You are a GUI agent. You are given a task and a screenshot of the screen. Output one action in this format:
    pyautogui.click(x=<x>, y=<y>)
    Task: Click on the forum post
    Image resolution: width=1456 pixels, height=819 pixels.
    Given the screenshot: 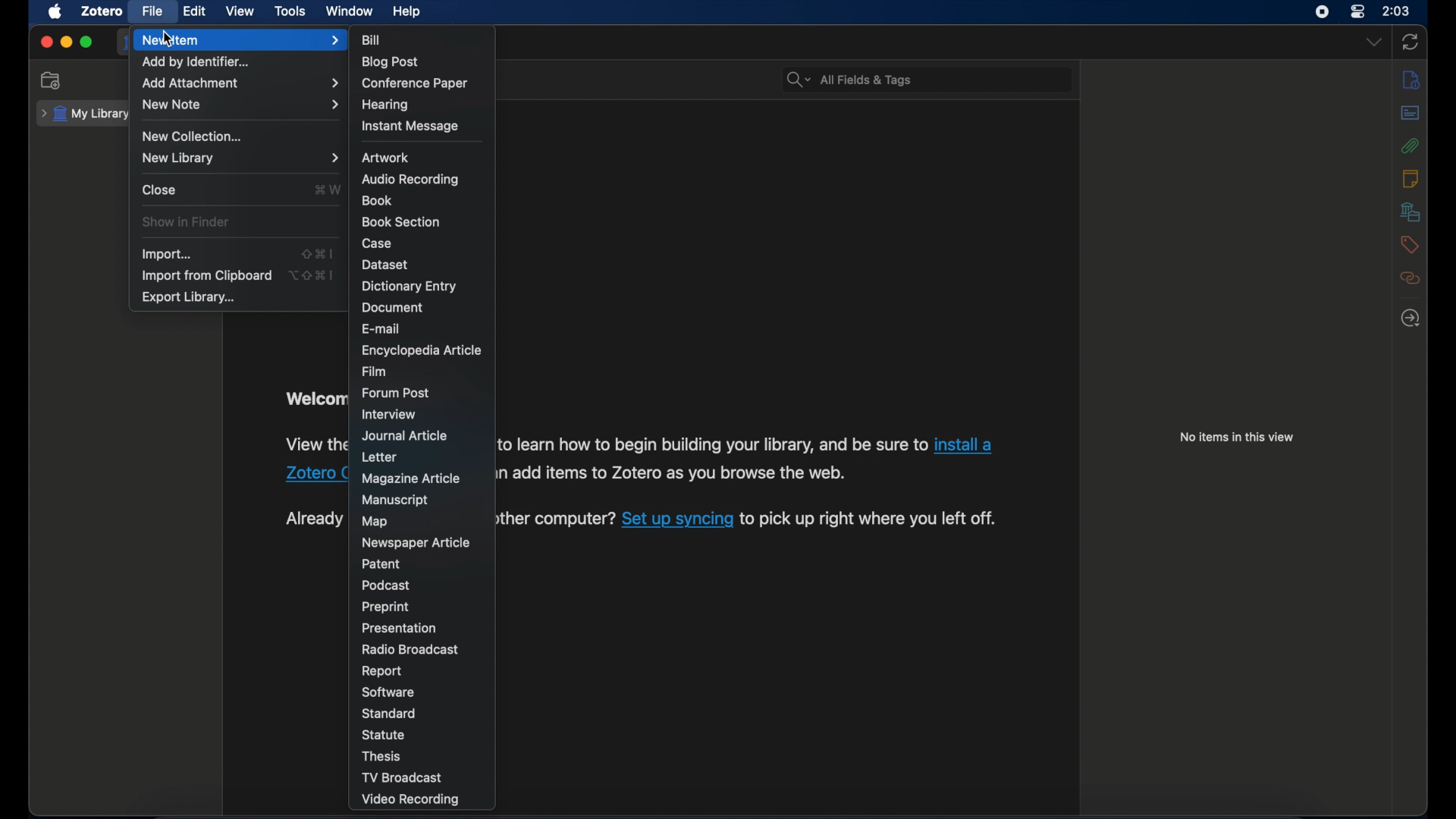 What is the action you would take?
    pyautogui.click(x=395, y=394)
    